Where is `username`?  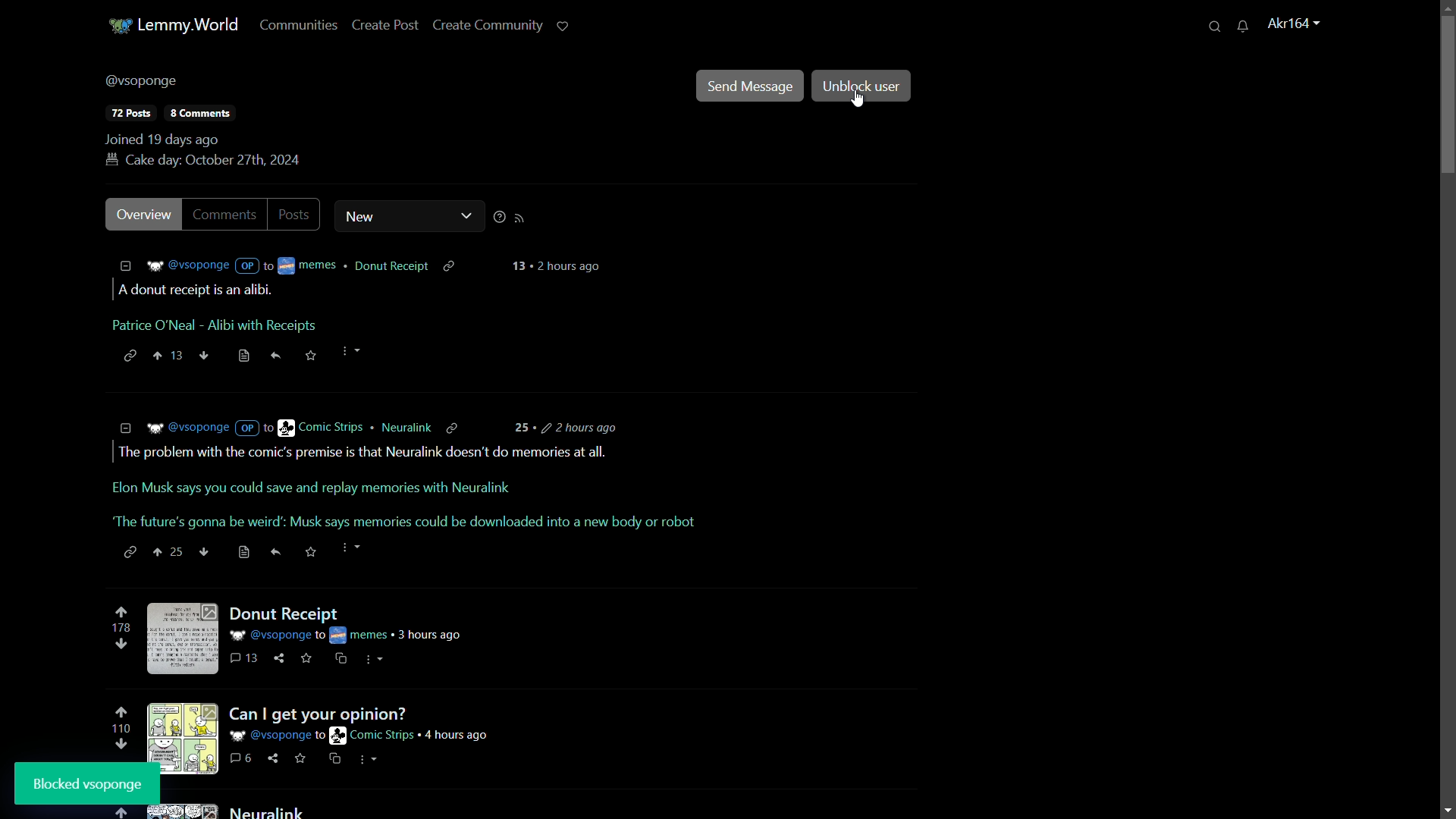
username is located at coordinates (1295, 25).